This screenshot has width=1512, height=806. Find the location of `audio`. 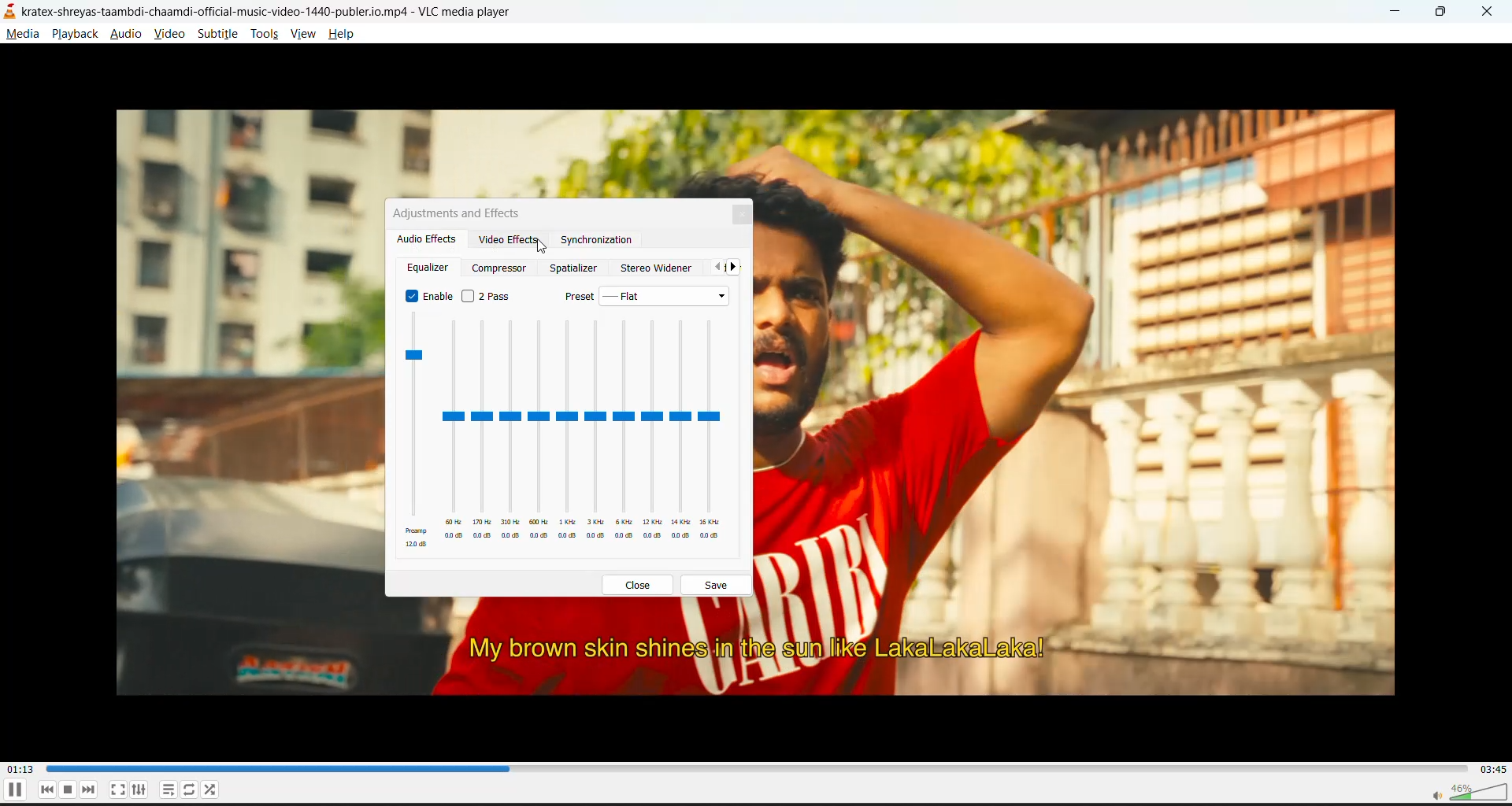

audio is located at coordinates (130, 35).